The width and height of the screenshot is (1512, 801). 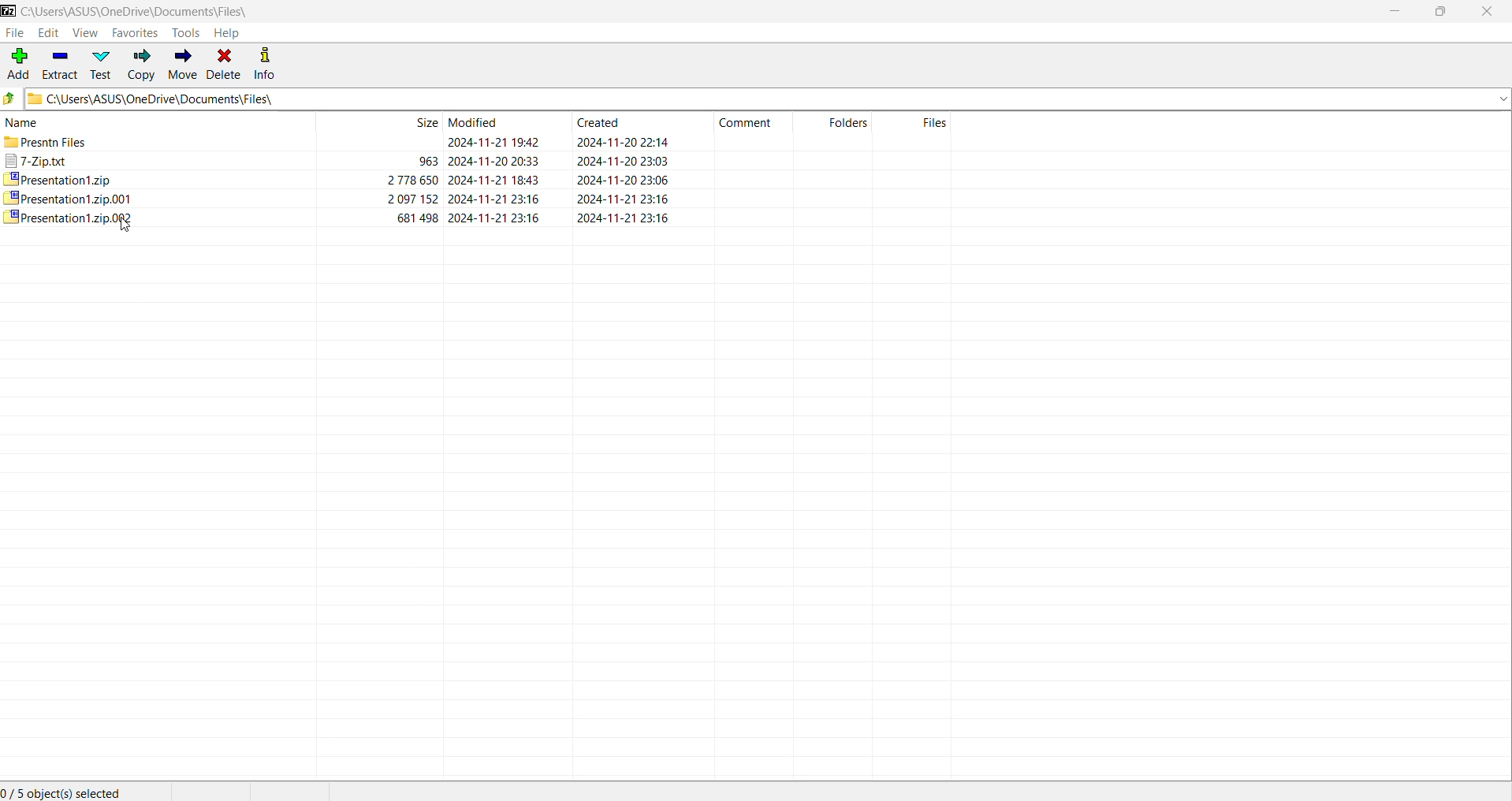 What do you see at coordinates (498, 219) in the screenshot?
I see `2024-11-21 23:16` at bounding box center [498, 219].